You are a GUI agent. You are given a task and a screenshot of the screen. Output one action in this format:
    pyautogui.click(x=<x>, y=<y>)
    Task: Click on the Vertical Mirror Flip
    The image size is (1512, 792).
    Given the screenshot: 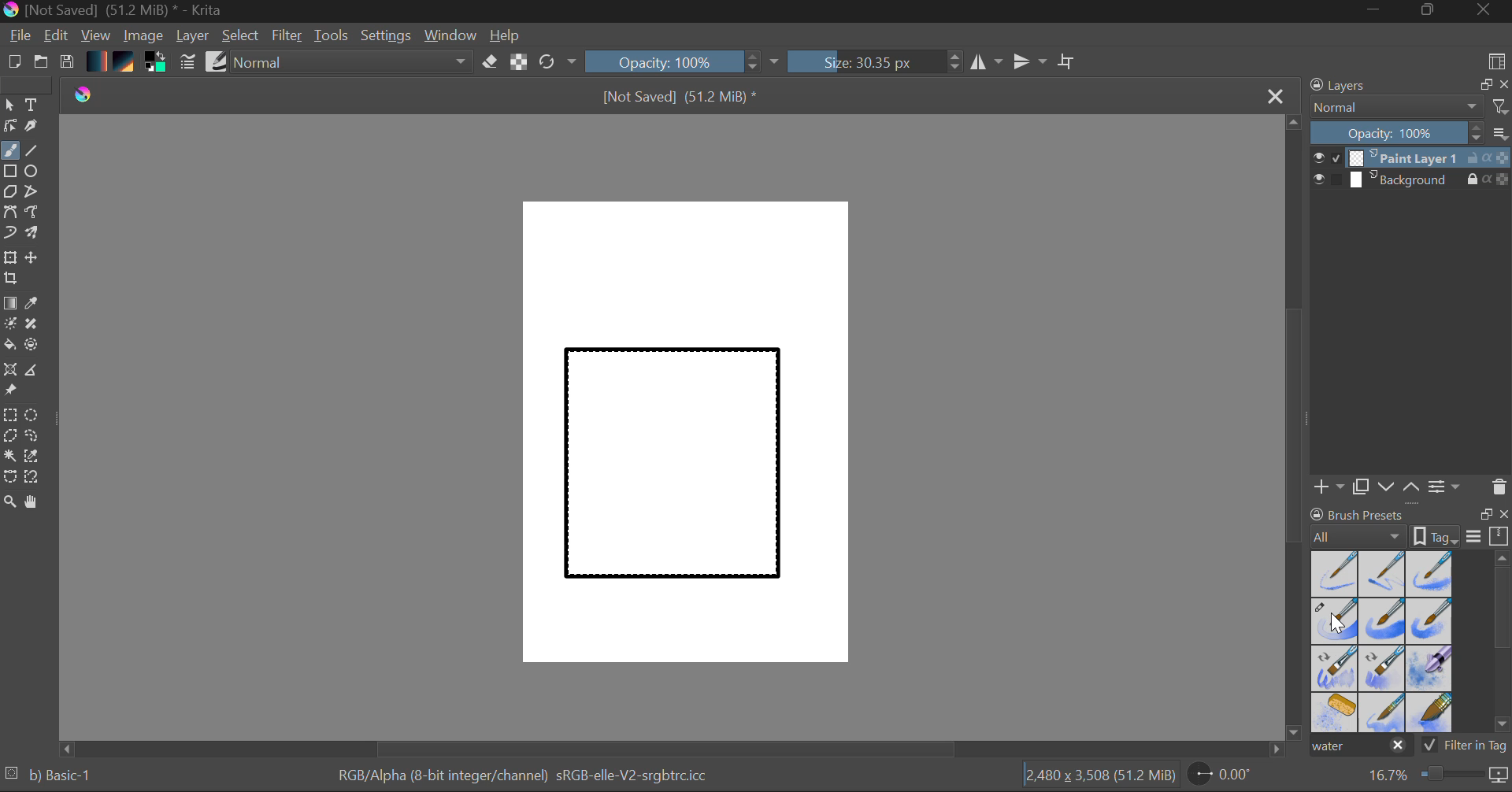 What is the action you would take?
    pyautogui.click(x=986, y=62)
    